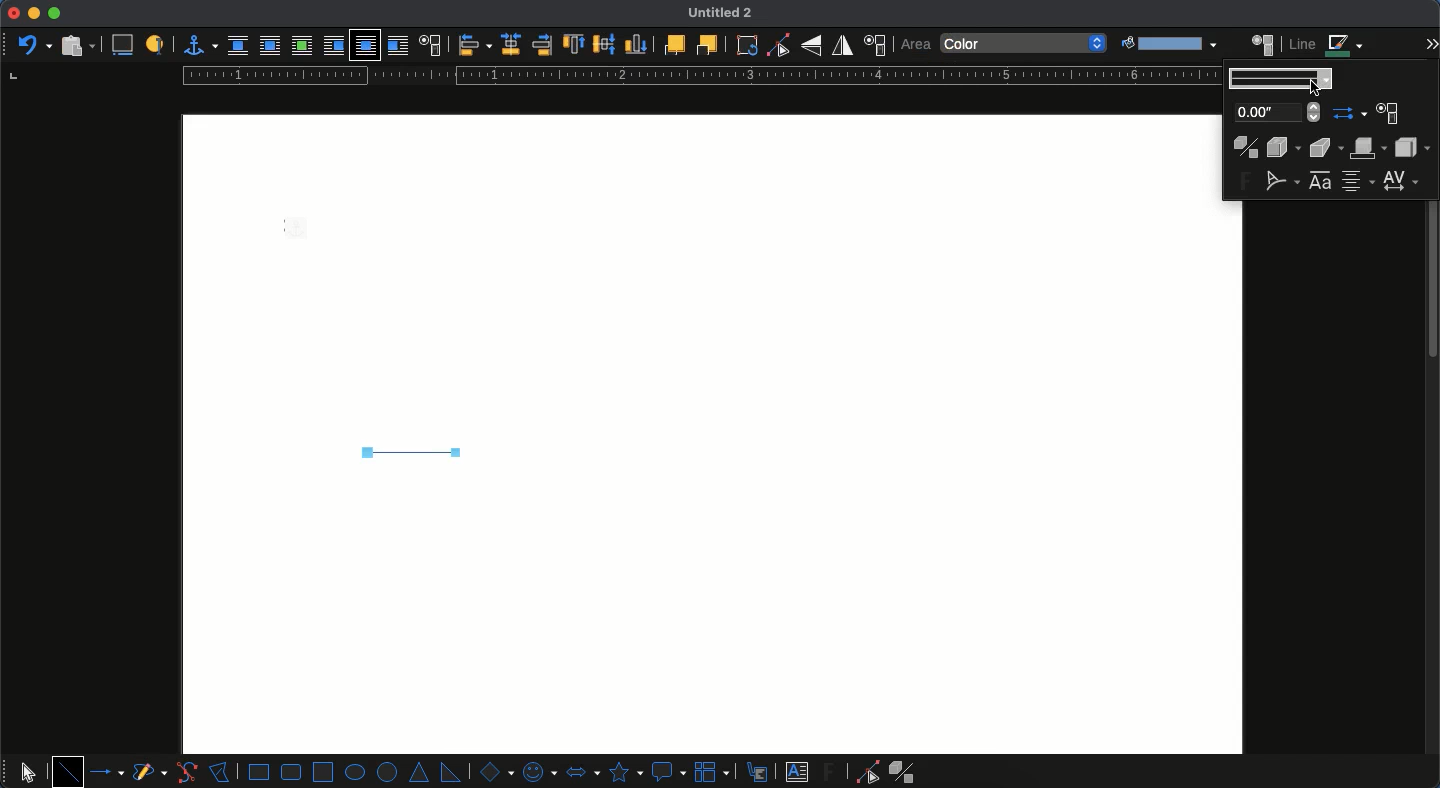  What do you see at coordinates (1279, 74) in the screenshot?
I see `line style` at bounding box center [1279, 74].